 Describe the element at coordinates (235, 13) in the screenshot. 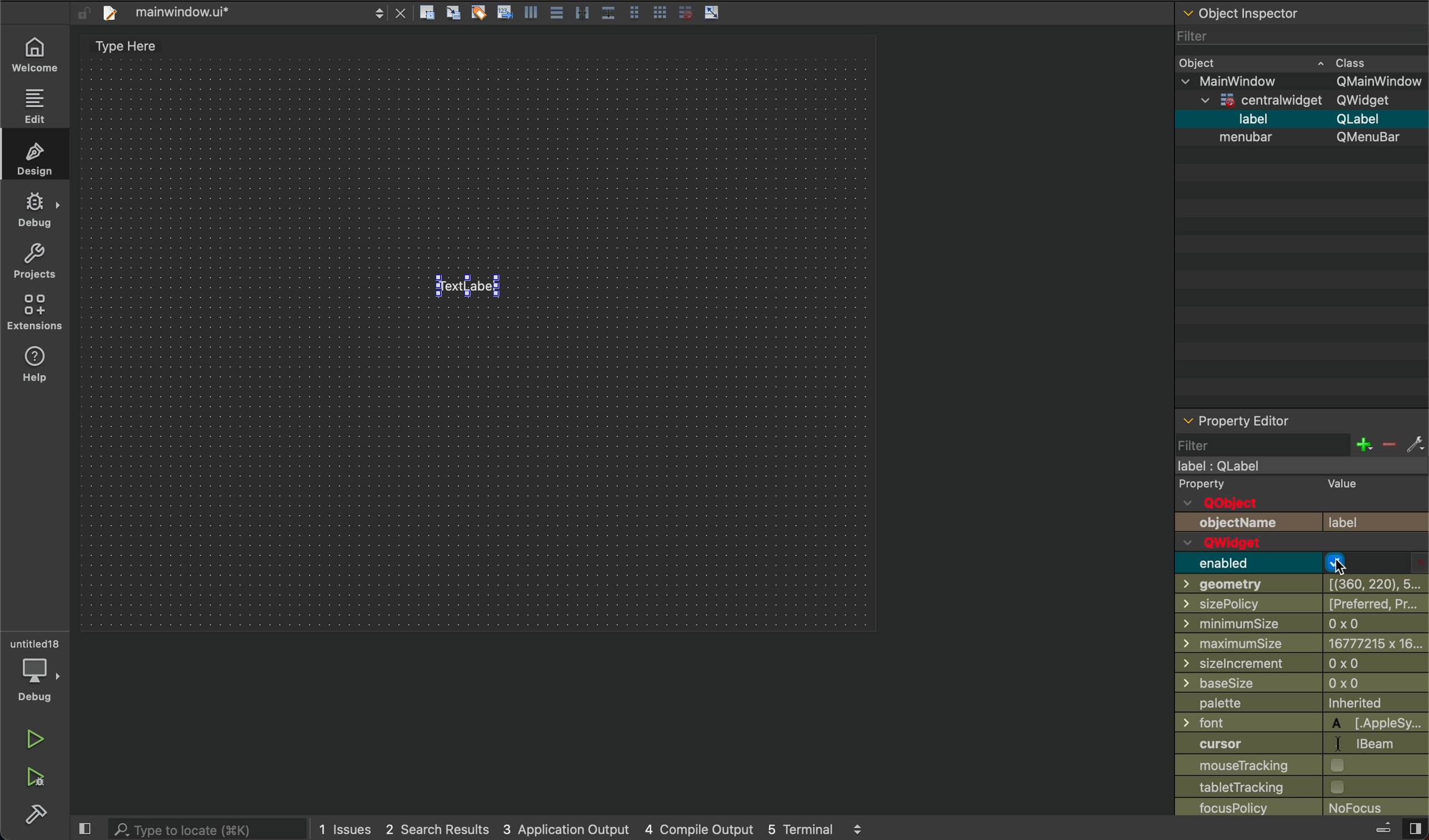

I see `file tab` at that location.